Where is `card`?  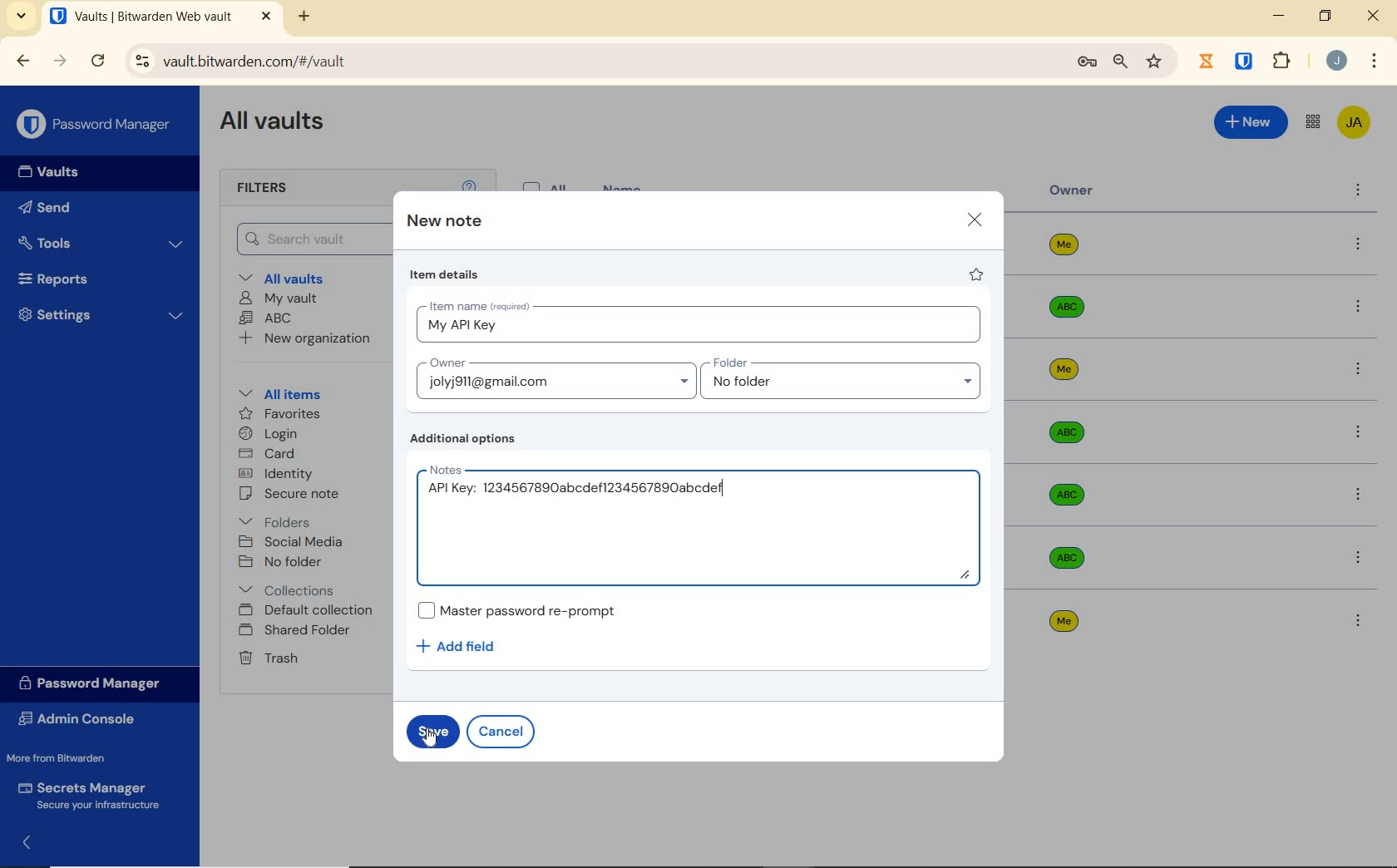 card is located at coordinates (269, 454).